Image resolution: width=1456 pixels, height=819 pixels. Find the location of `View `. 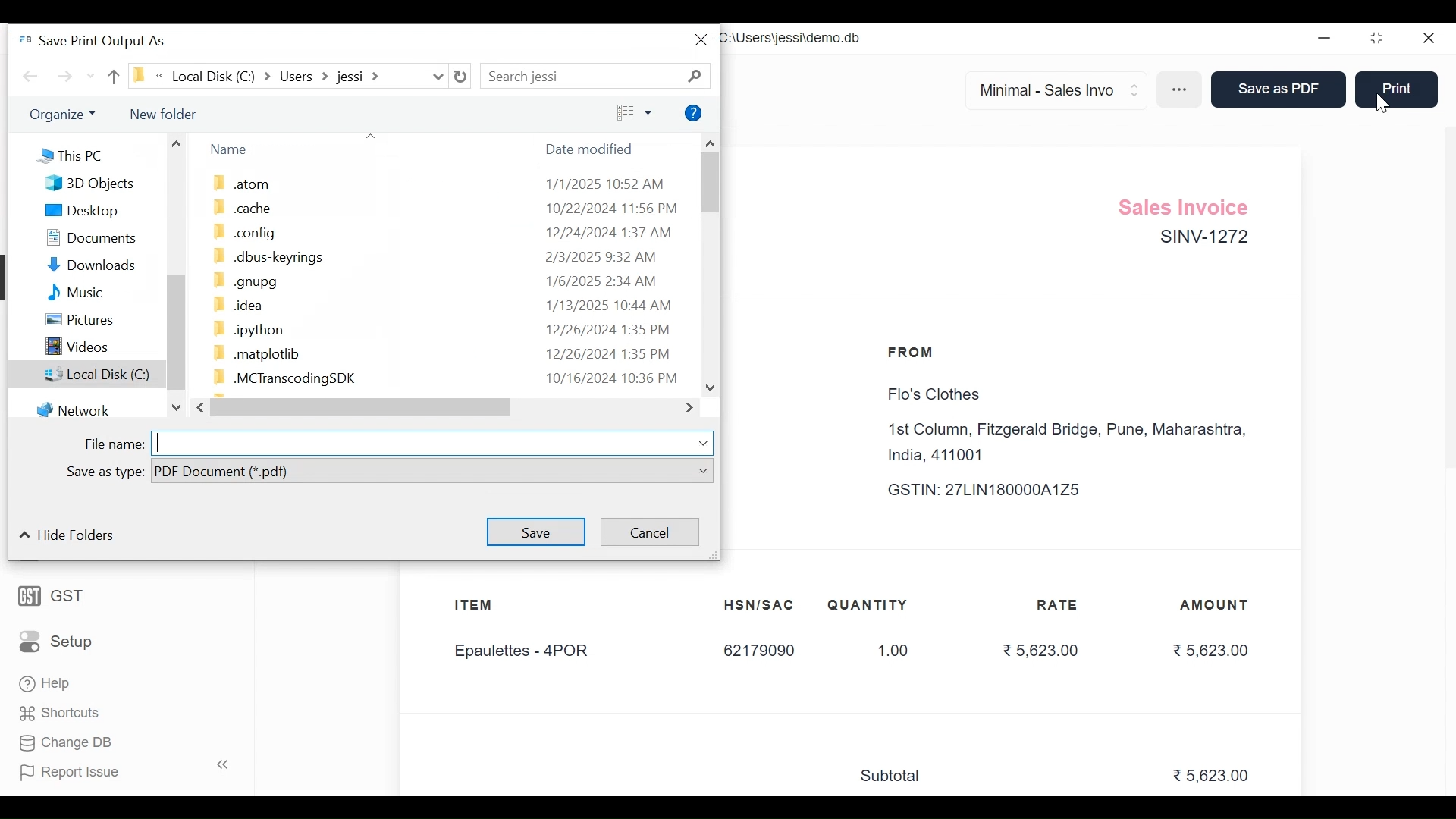

View  is located at coordinates (633, 114).